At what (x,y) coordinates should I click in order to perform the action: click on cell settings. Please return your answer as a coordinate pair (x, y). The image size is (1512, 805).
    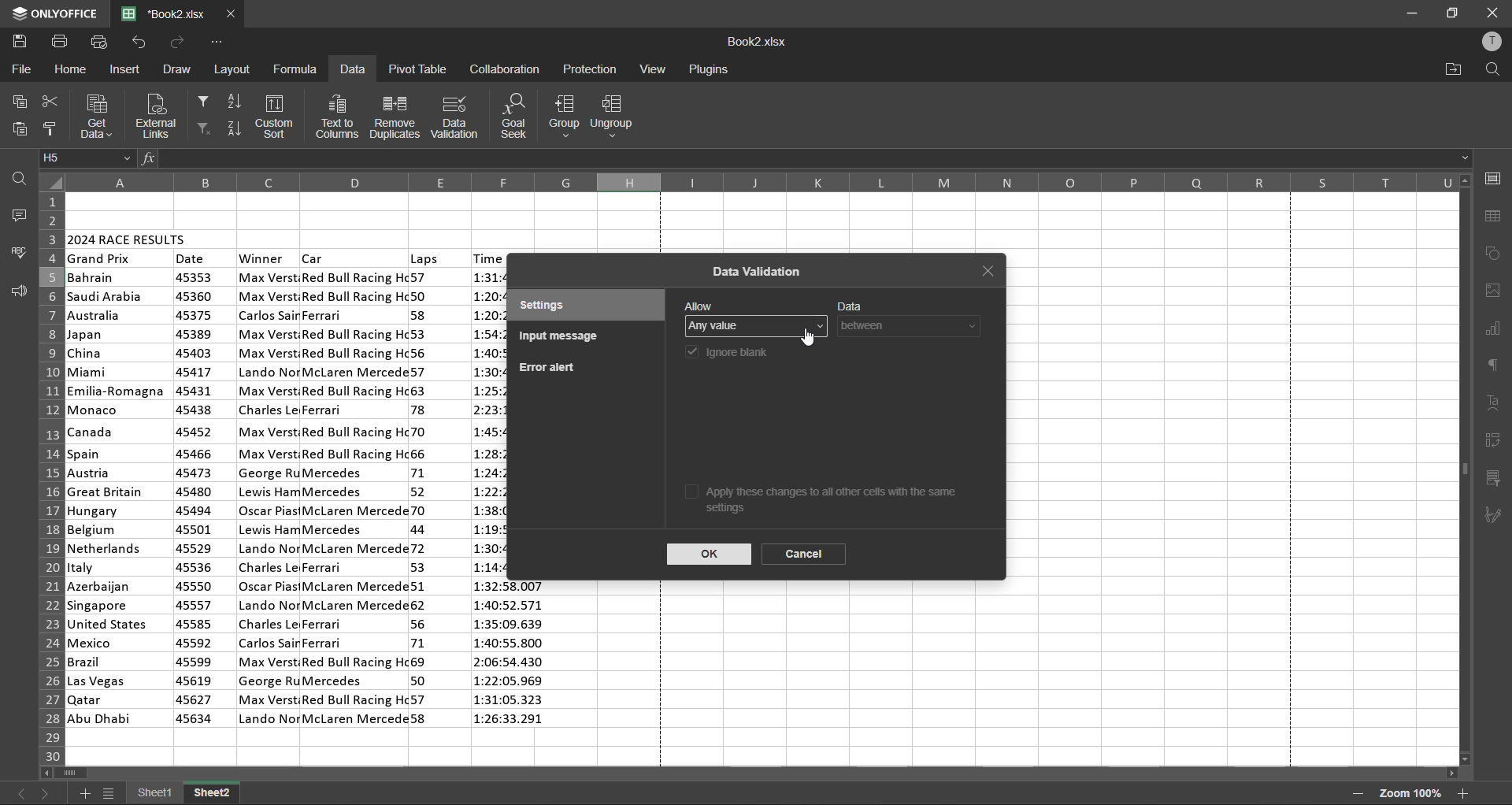
    Looking at the image, I should click on (1492, 178).